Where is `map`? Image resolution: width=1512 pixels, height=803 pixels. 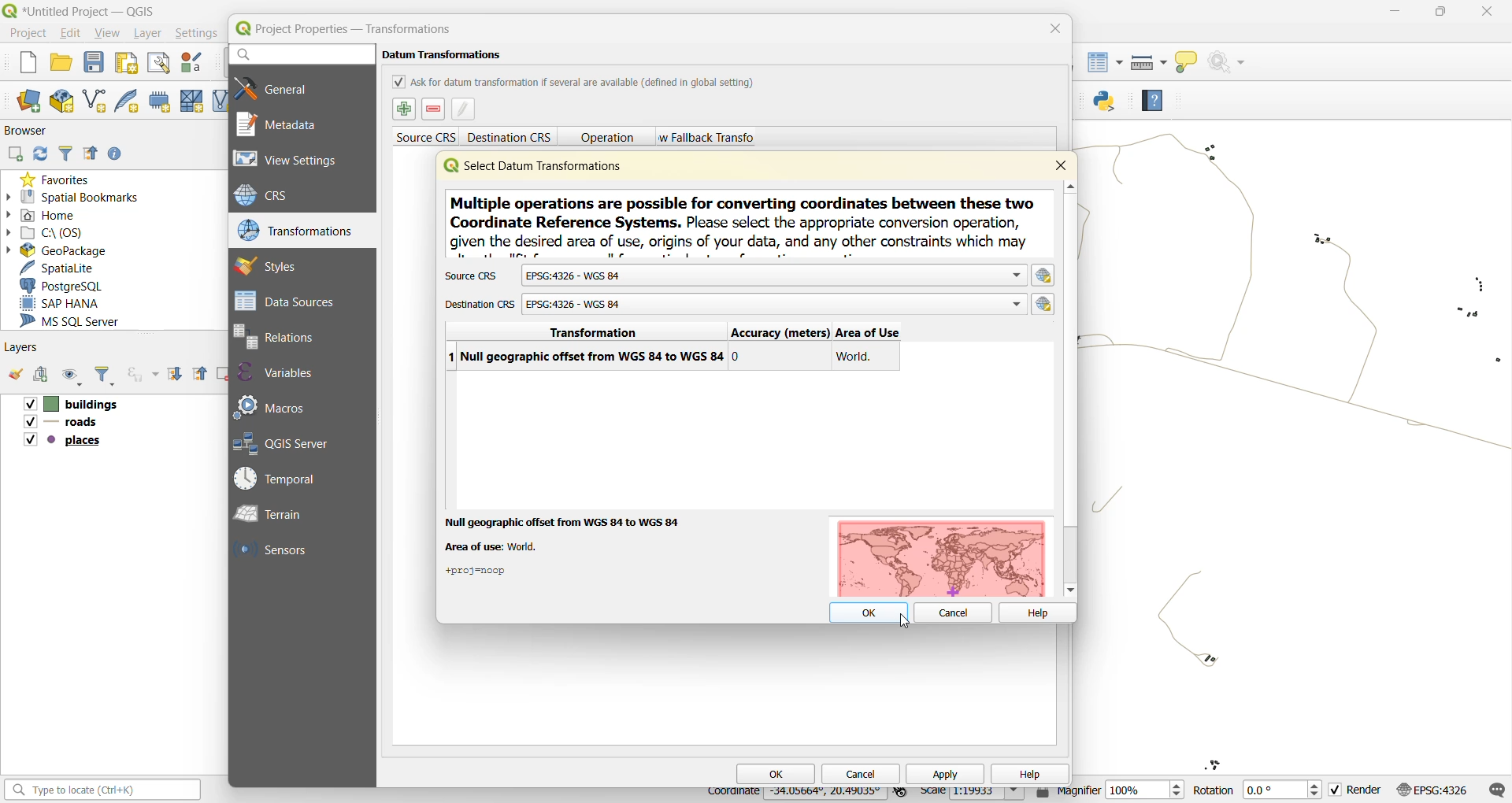 map is located at coordinates (940, 557).